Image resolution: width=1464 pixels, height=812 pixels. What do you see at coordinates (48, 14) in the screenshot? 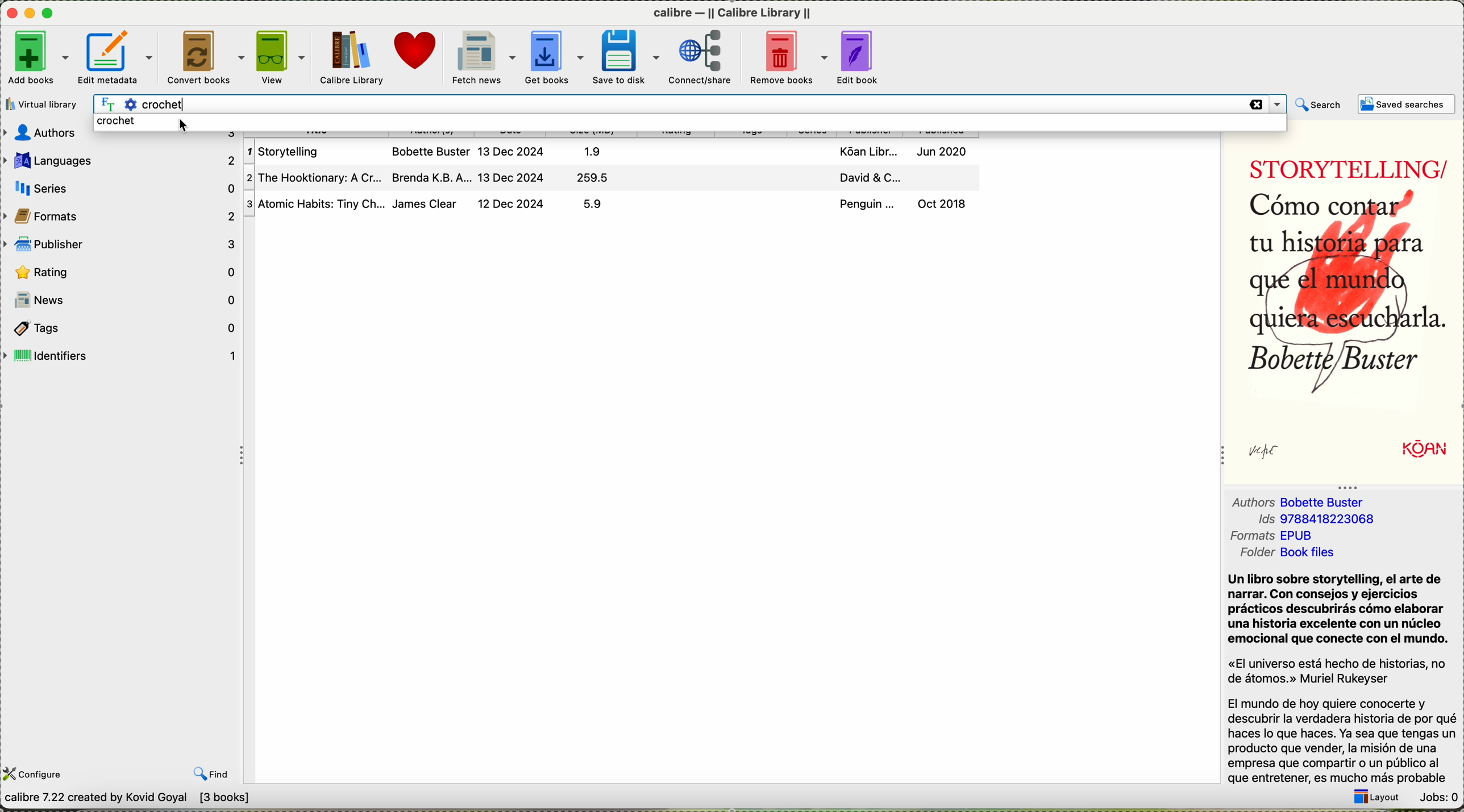
I see `maximize Calibre` at bounding box center [48, 14].